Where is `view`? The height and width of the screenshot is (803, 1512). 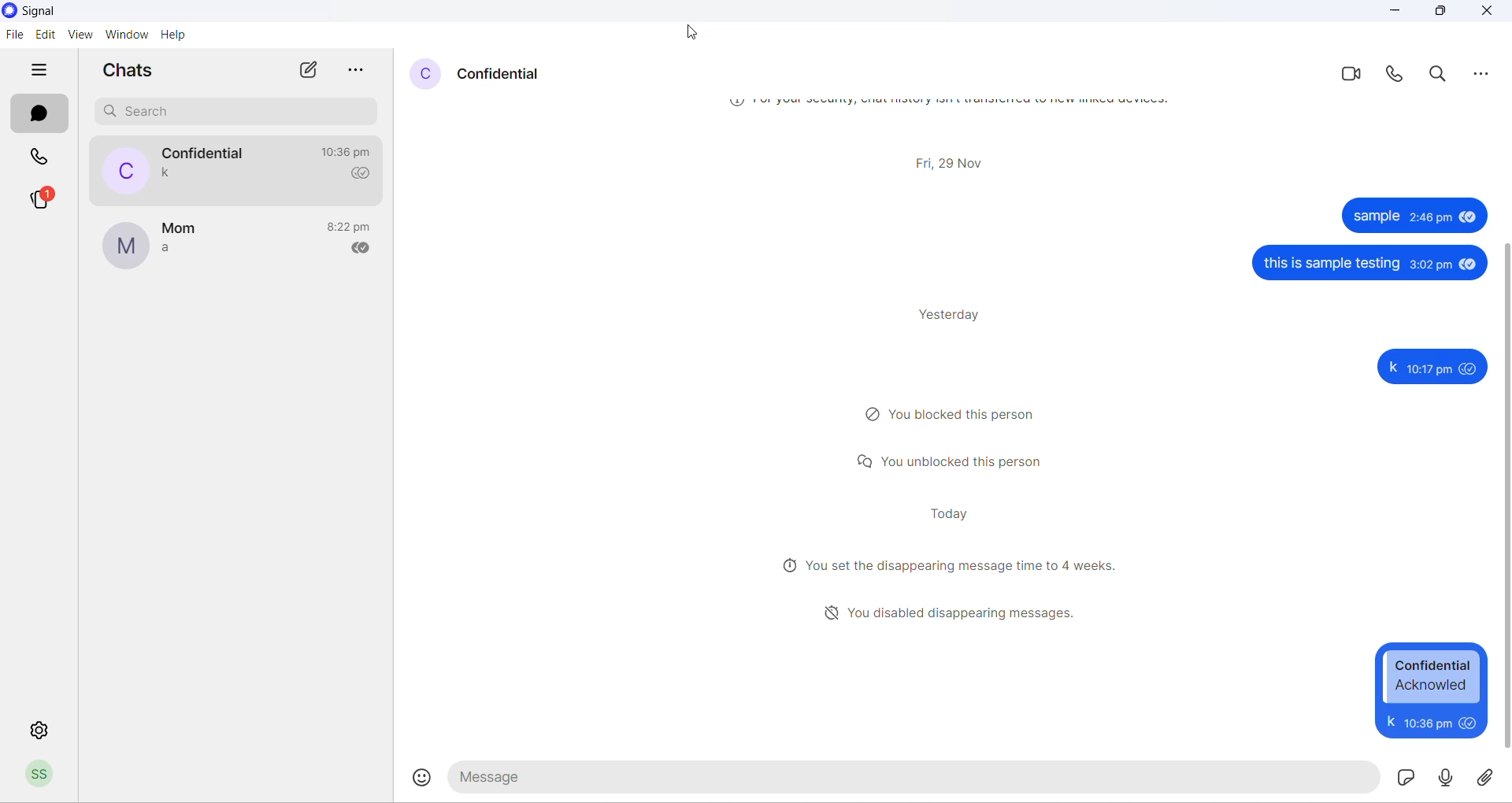
view is located at coordinates (78, 35).